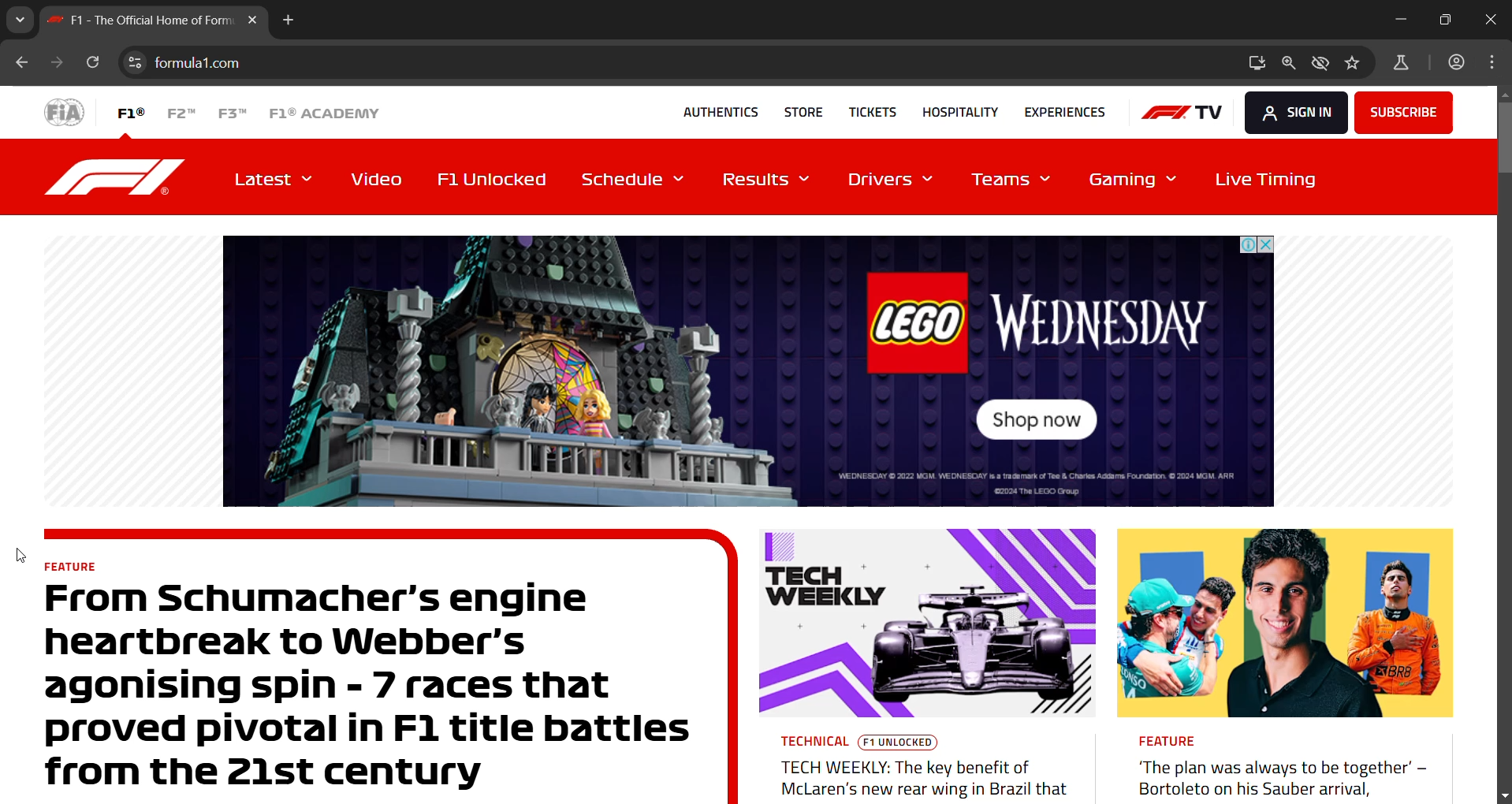  Describe the element at coordinates (925, 667) in the screenshot. I see `News : TECH WEEKLY TECHNICAL TECH WEEKLY: The key benefit ofMcLaren's new rear wing in Brazil that` at that location.